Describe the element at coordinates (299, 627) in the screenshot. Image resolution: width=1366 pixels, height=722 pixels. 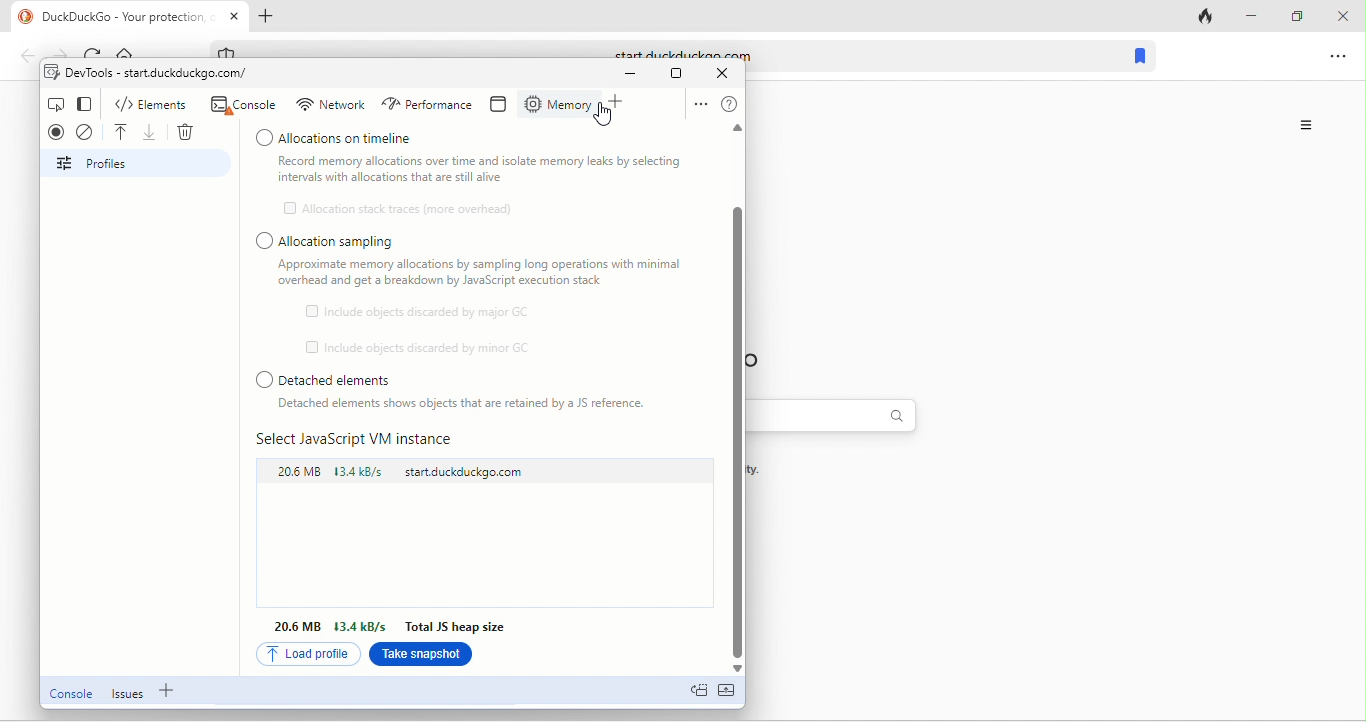
I see `20.6 mb` at that location.